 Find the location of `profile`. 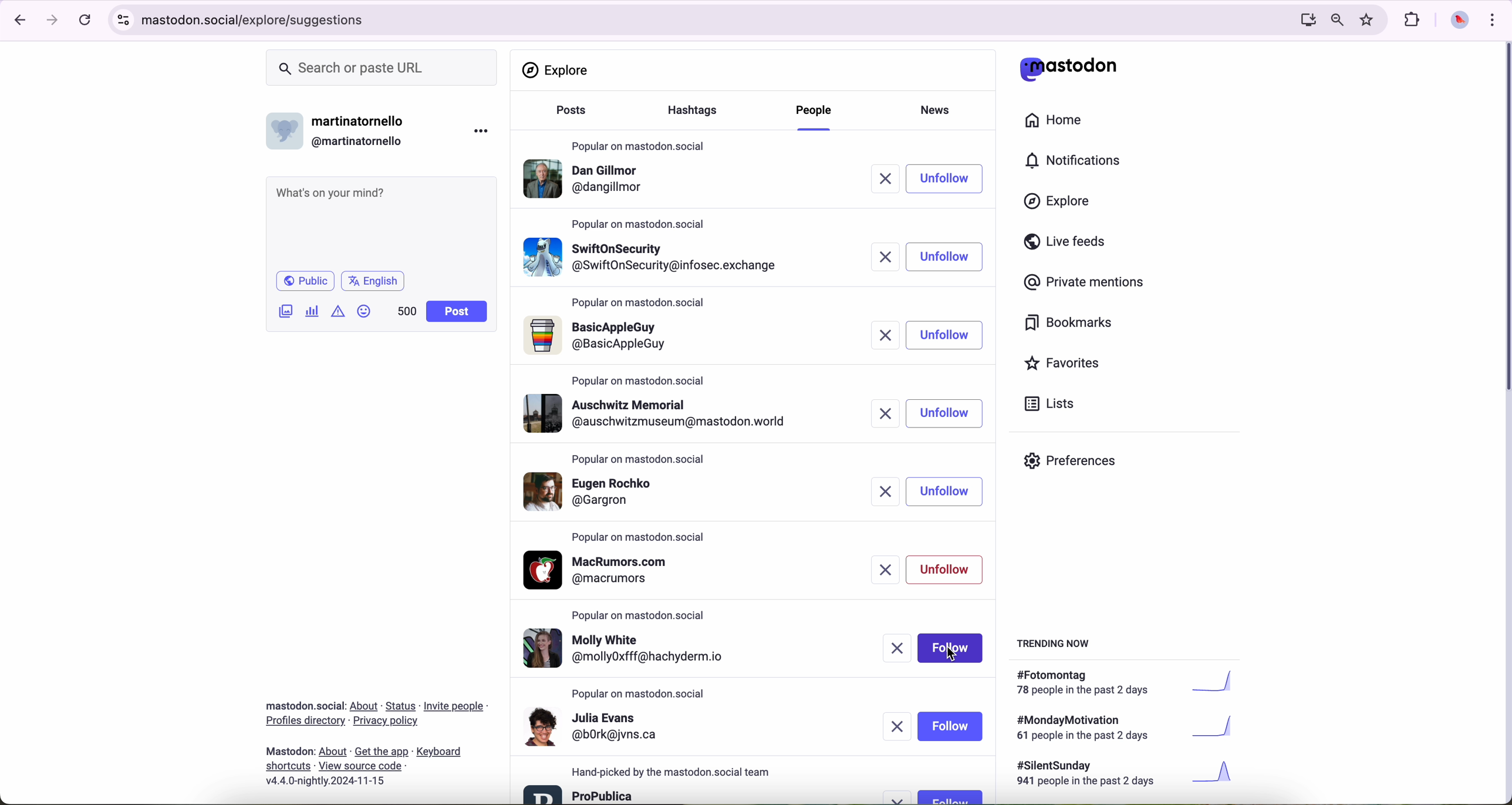

profile is located at coordinates (604, 570).